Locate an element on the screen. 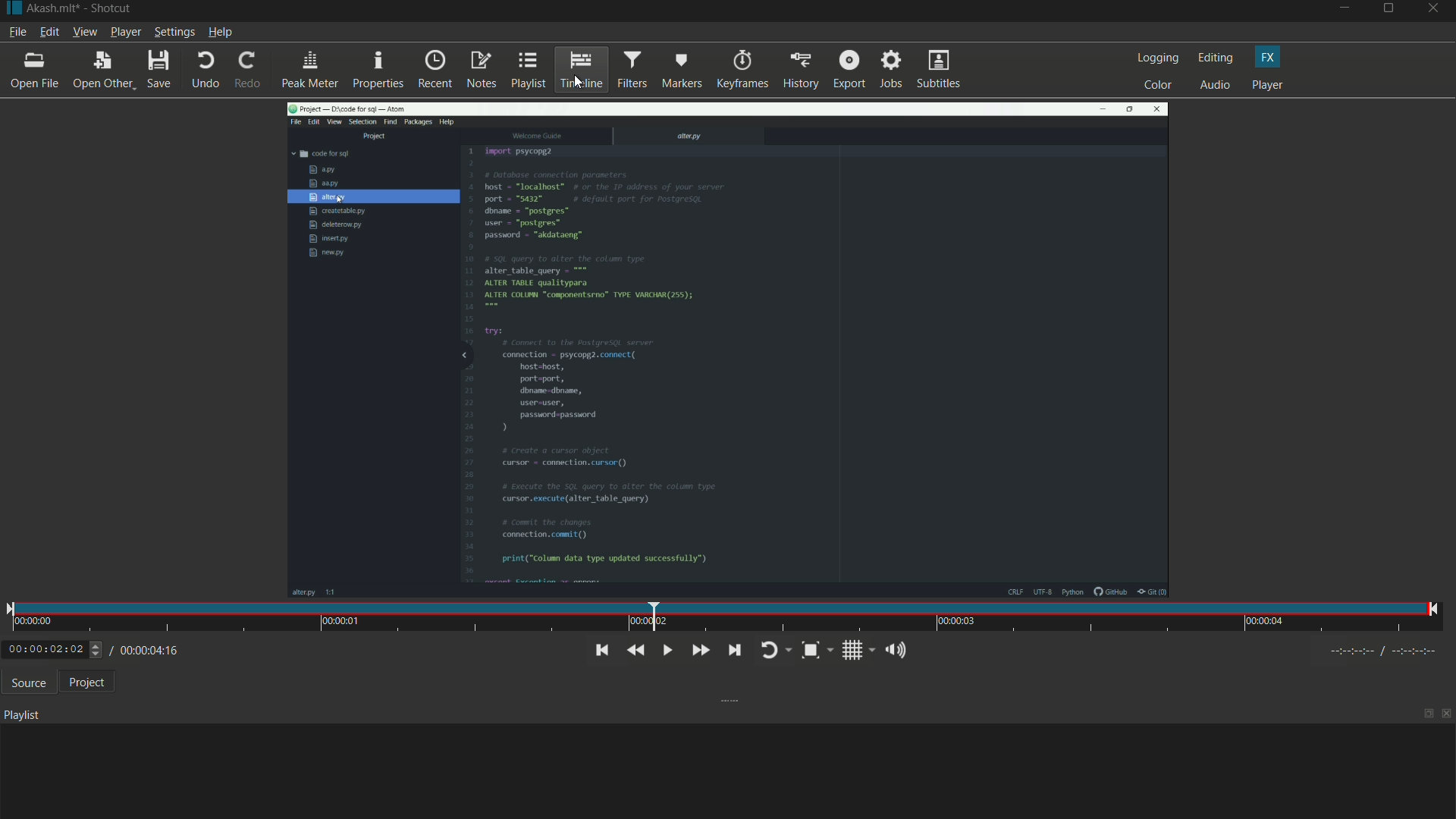 This screenshot has height=819, width=1456. close is located at coordinates (1447, 716).